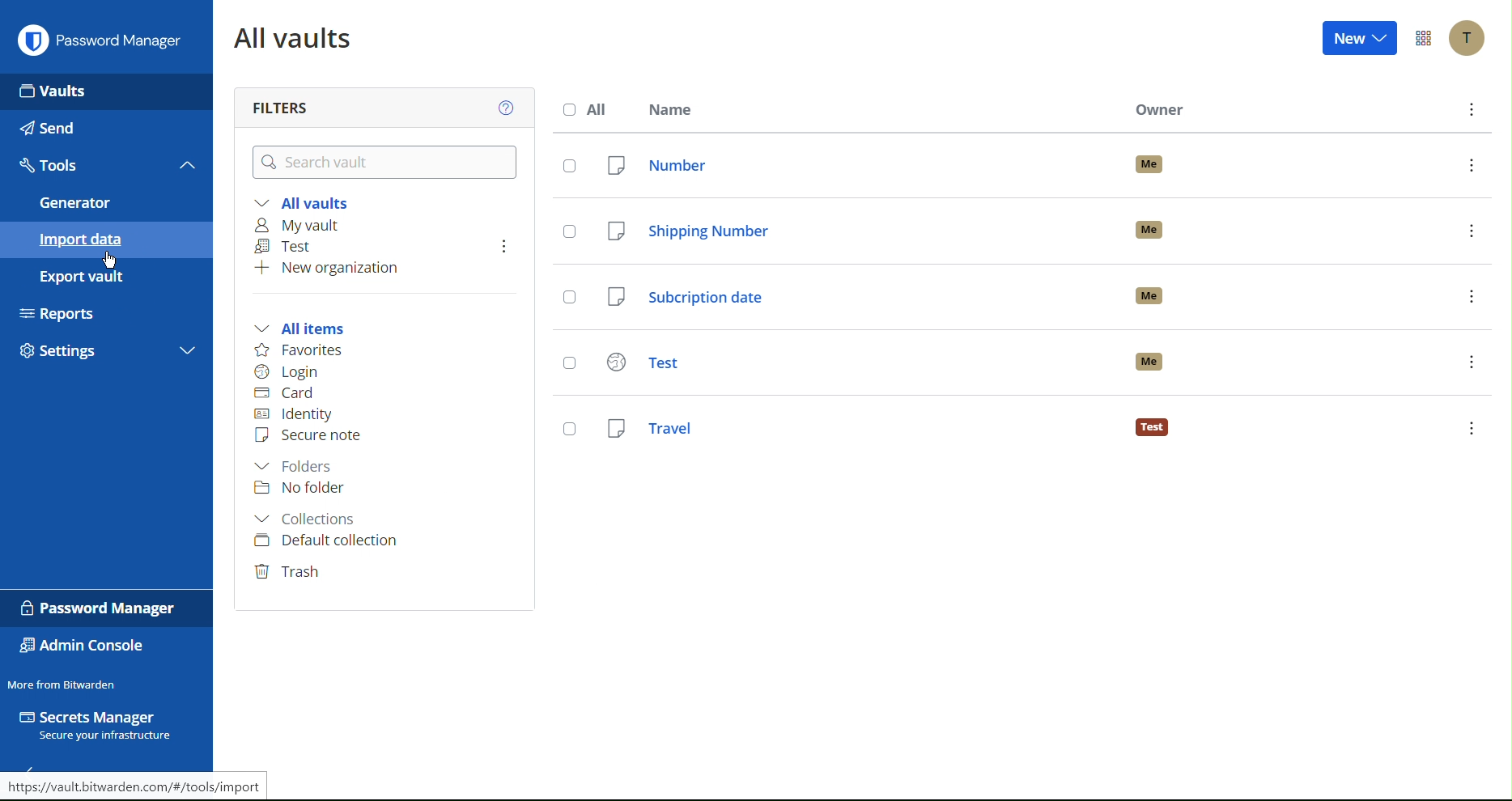  I want to click on Account, so click(1469, 39).